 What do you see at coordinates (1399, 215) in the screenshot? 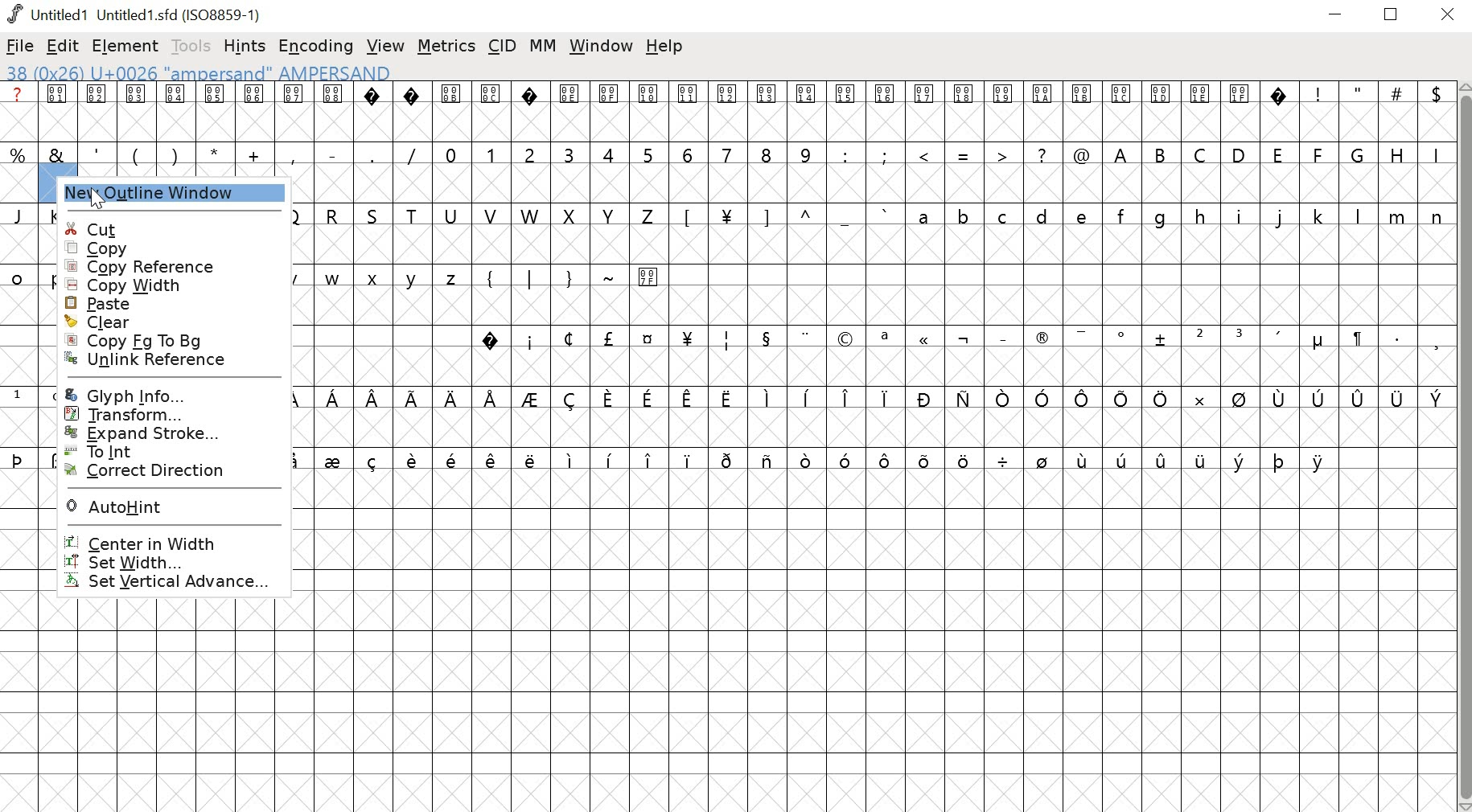
I see `m` at bounding box center [1399, 215].